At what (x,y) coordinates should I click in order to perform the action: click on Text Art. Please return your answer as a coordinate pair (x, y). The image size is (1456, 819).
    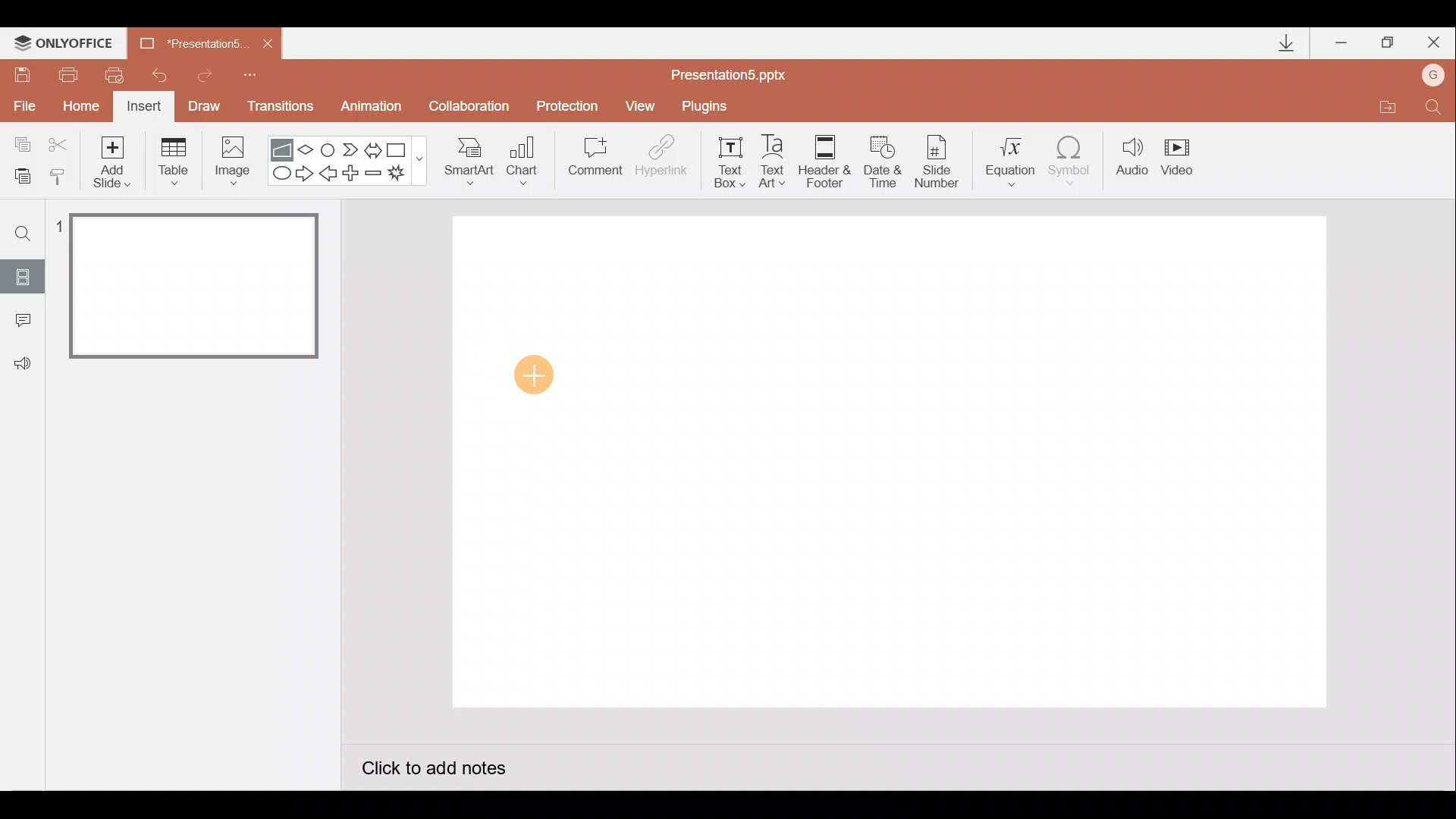
    Looking at the image, I should click on (777, 161).